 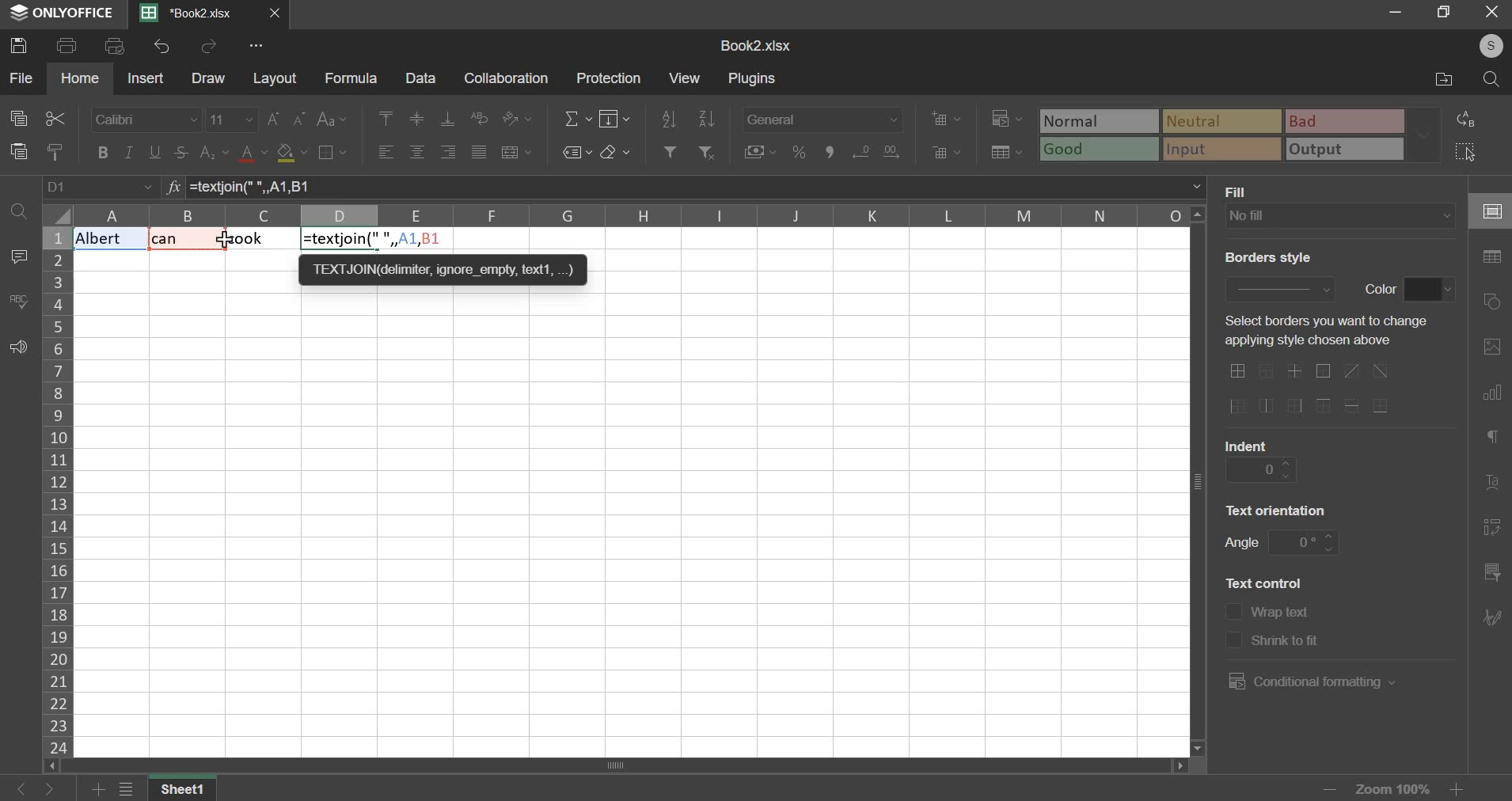 I want to click on named ranges, so click(x=576, y=152).